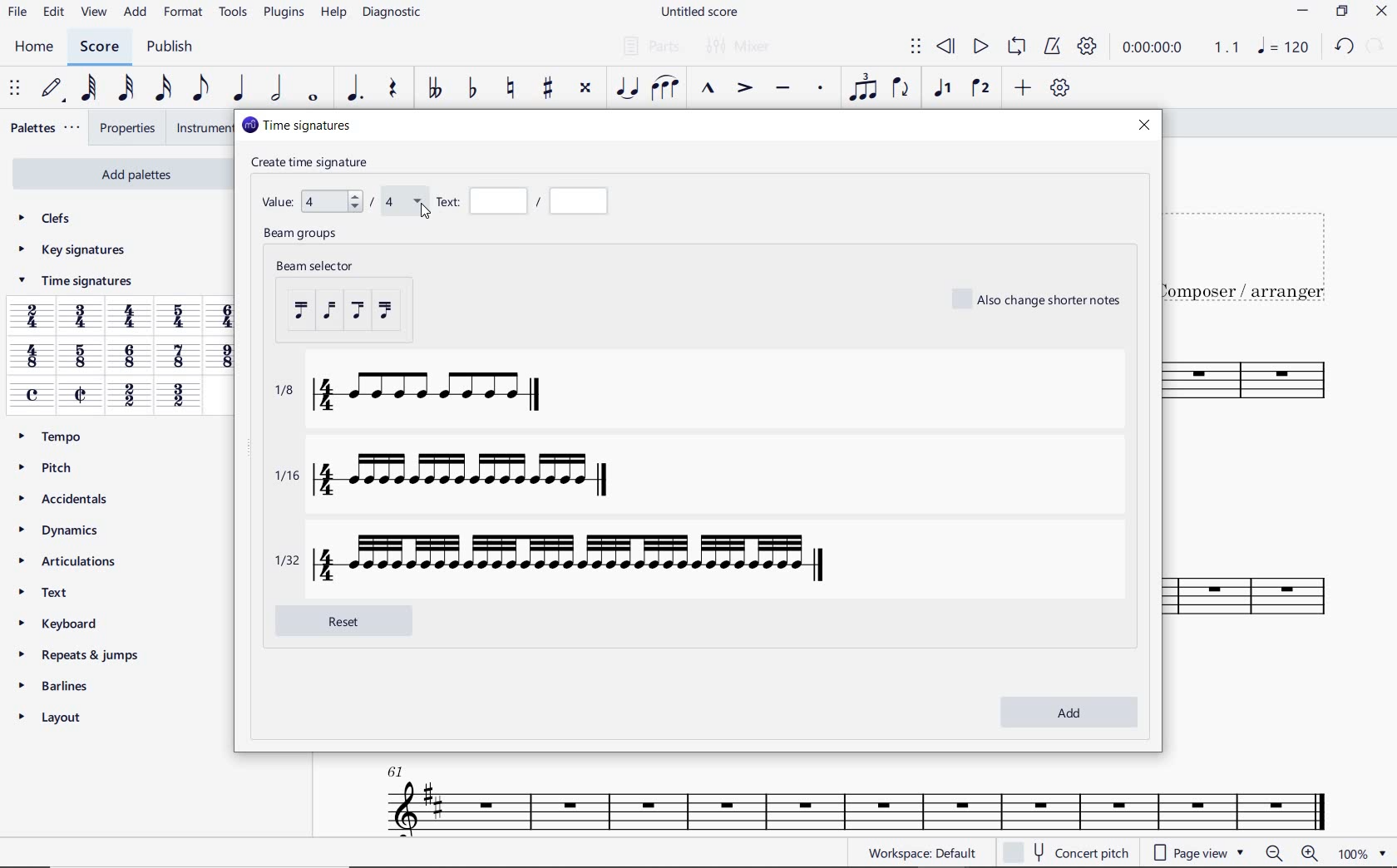  I want to click on ACCENT, so click(744, 89).